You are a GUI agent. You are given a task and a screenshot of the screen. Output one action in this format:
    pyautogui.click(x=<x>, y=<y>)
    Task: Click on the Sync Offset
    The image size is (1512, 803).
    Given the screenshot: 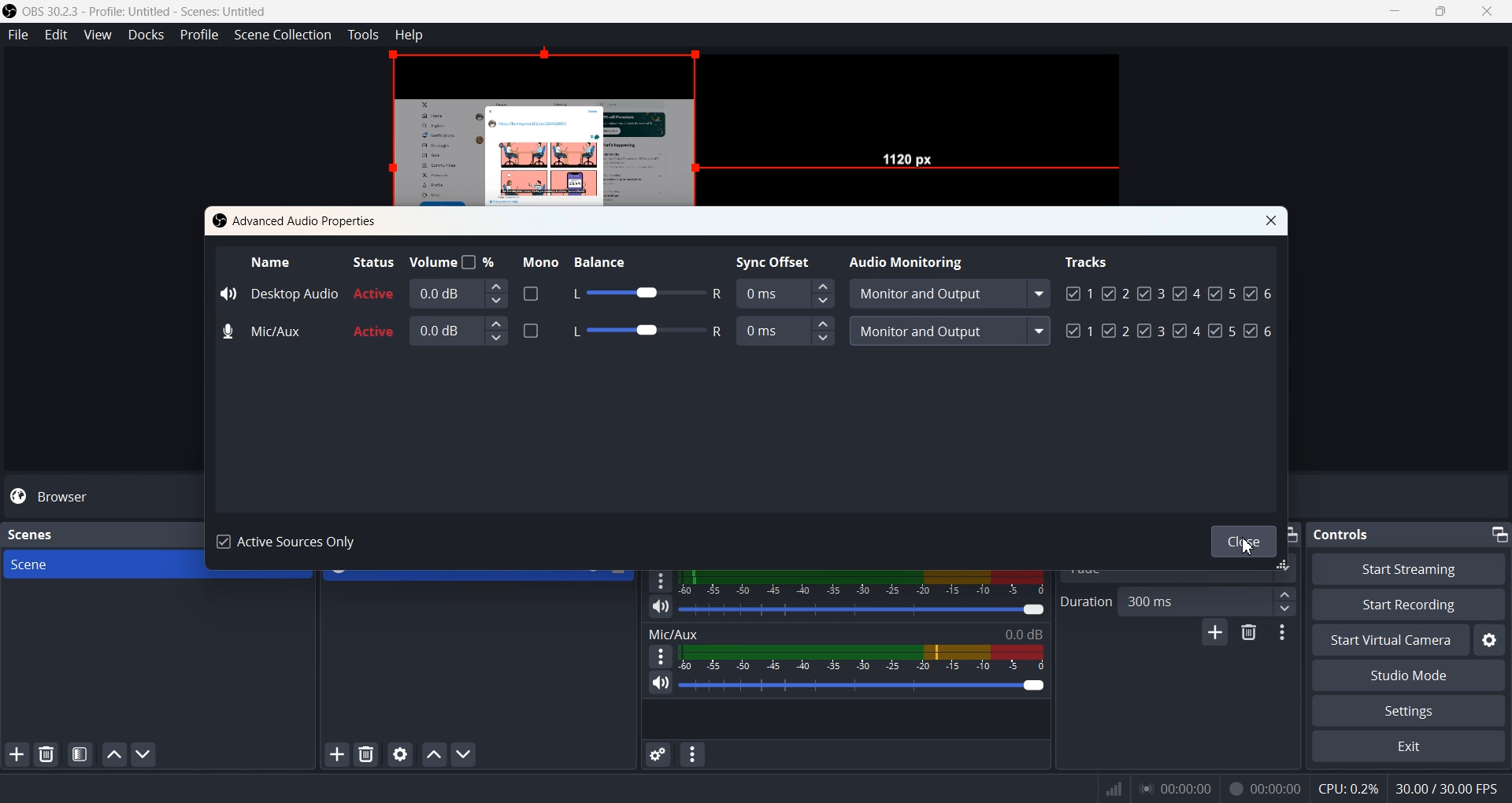 What is the action you would take?
    pyautogui.click(x=778, y=260)
    